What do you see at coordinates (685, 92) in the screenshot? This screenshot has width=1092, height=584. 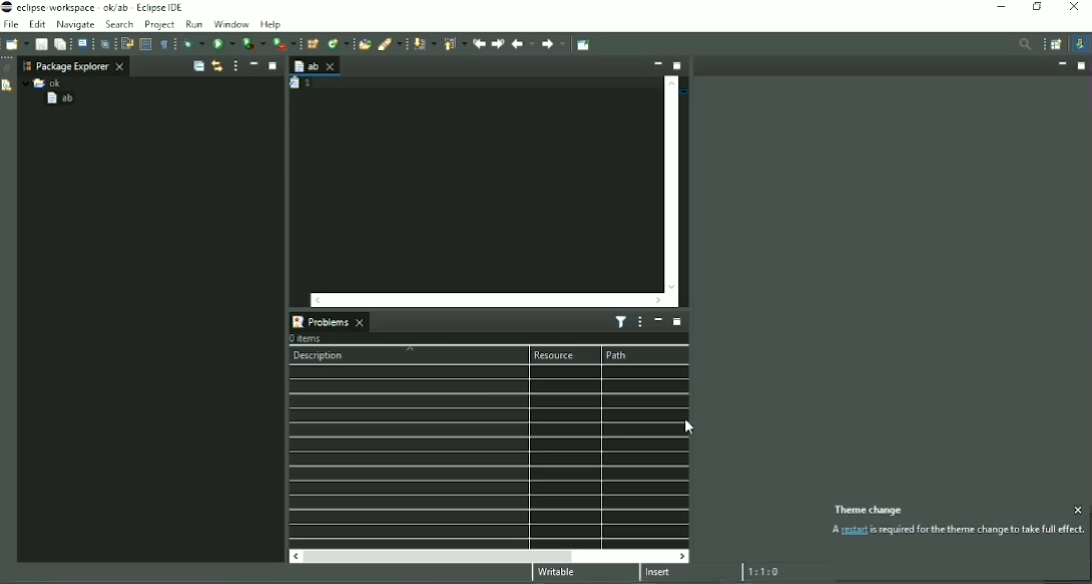 I see `Task` at bounding box center [685, 92].